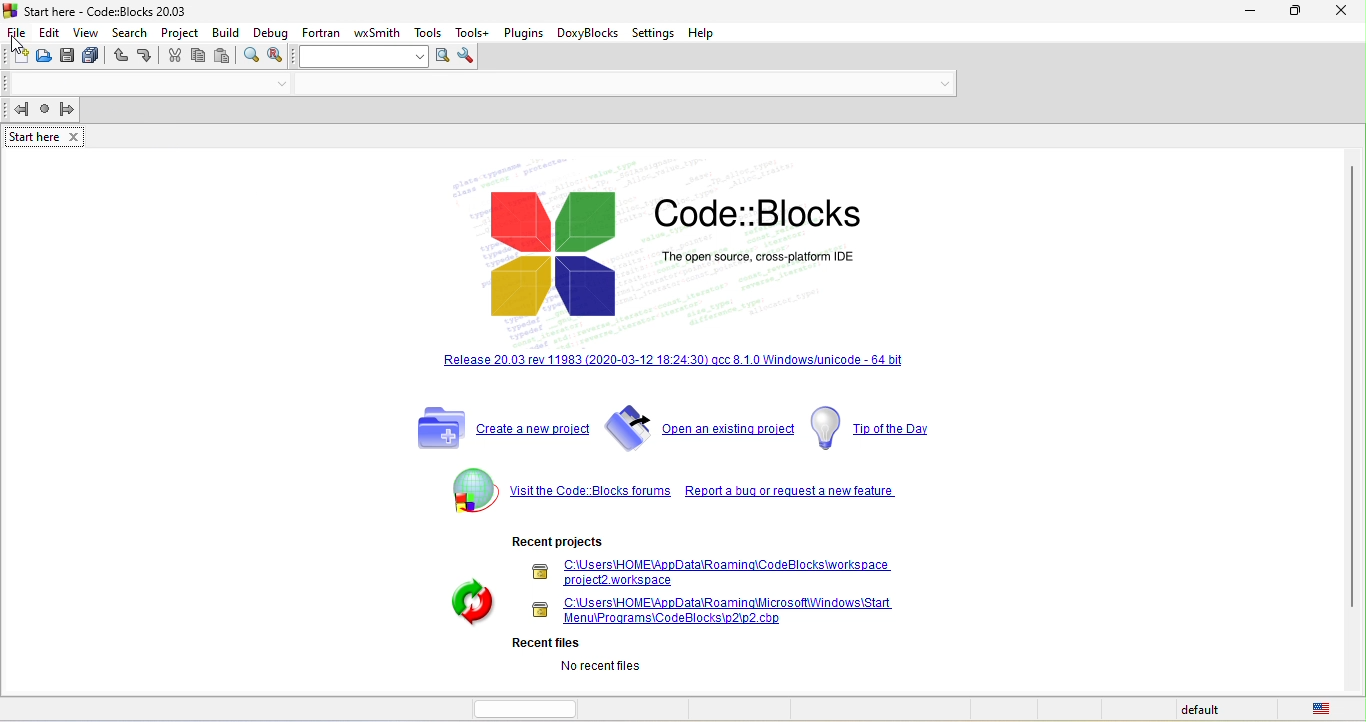 The height and width of the screenshot is (722, 1366). I want to click on doxyblocks, so click(588, 34).